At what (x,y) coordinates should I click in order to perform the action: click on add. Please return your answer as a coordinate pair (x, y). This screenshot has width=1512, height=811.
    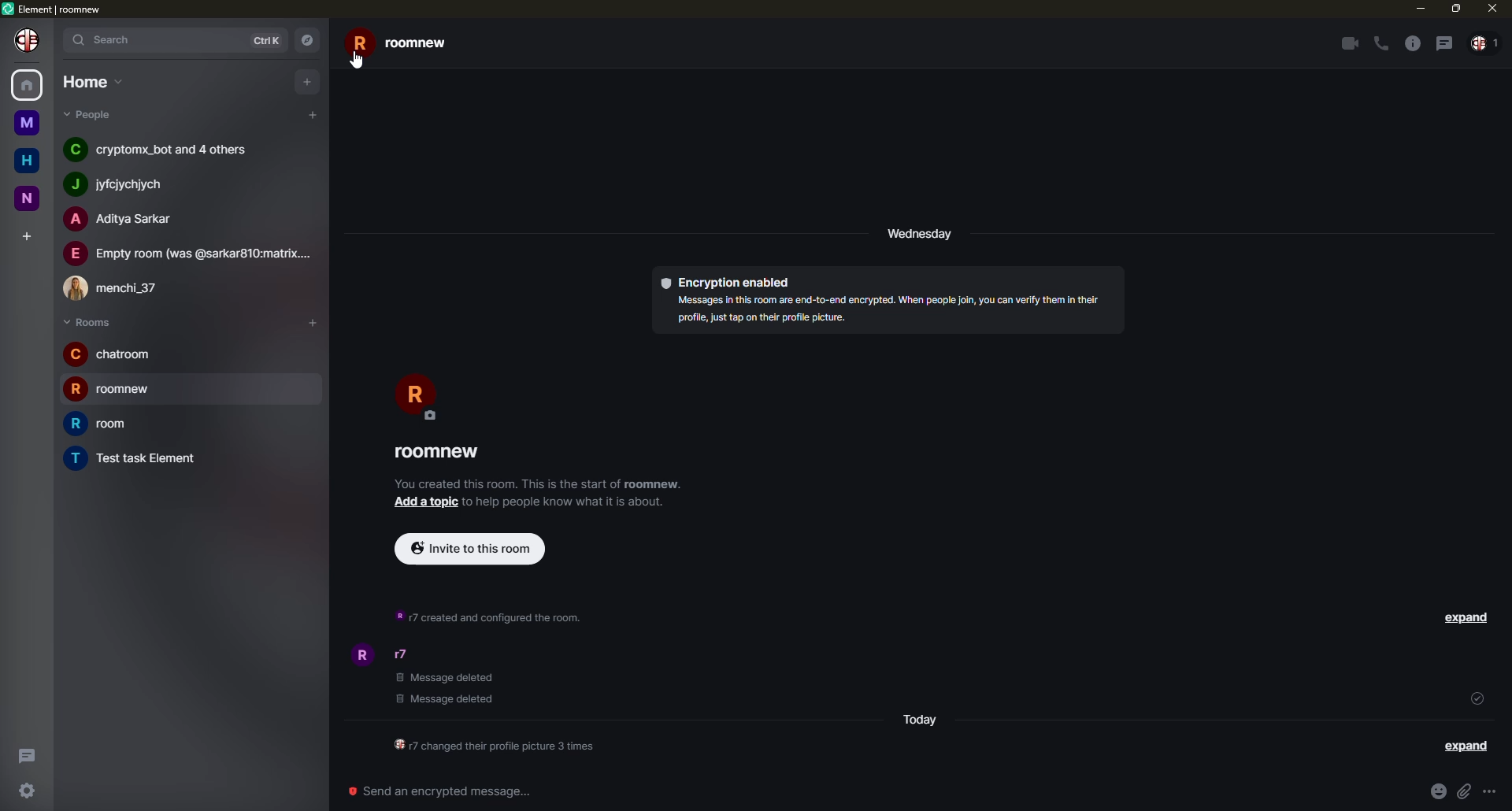
    Looking at the image, I should click on (29, 235).